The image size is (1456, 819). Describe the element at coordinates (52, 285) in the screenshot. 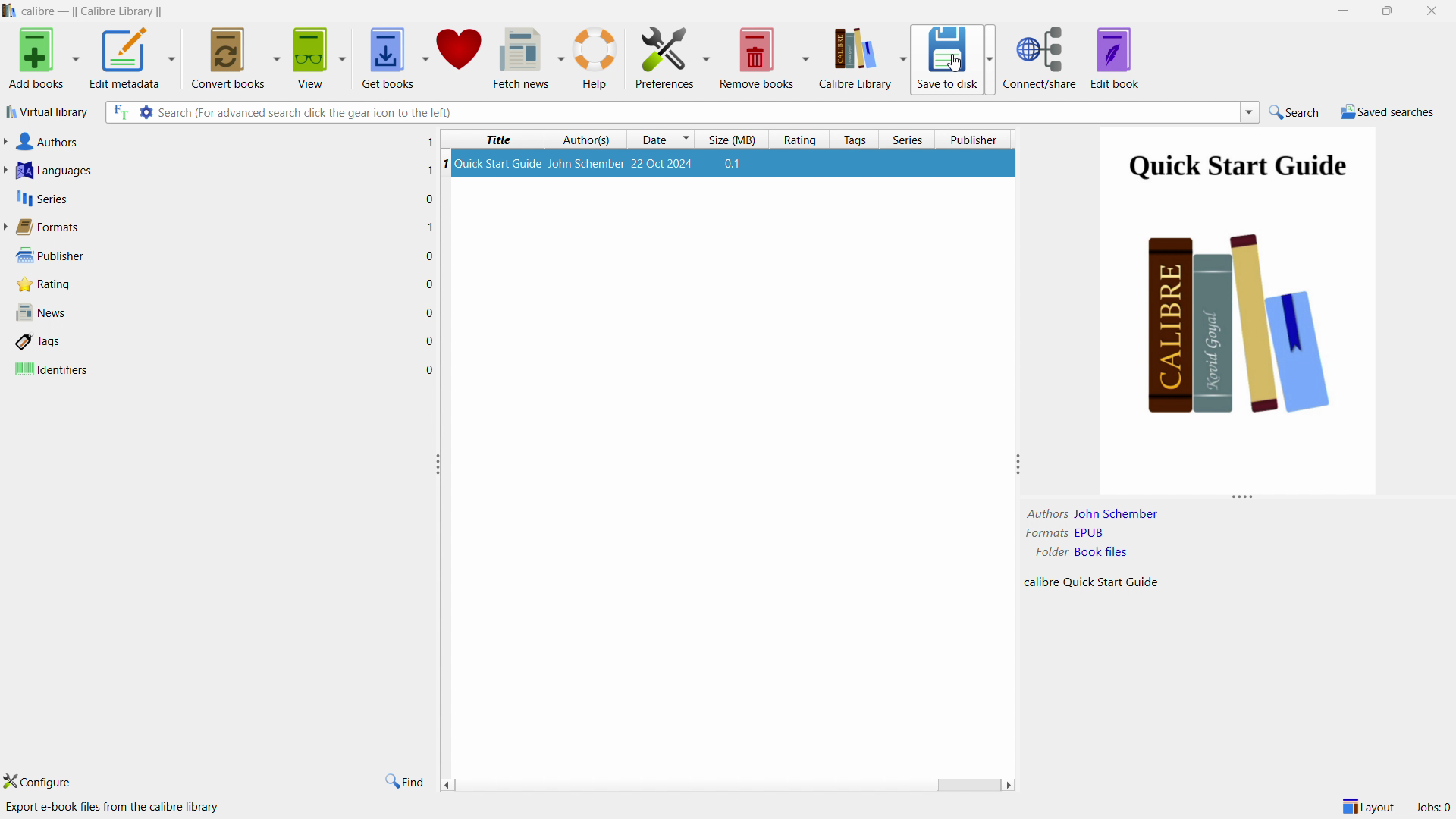

I see `Rating` at that location.